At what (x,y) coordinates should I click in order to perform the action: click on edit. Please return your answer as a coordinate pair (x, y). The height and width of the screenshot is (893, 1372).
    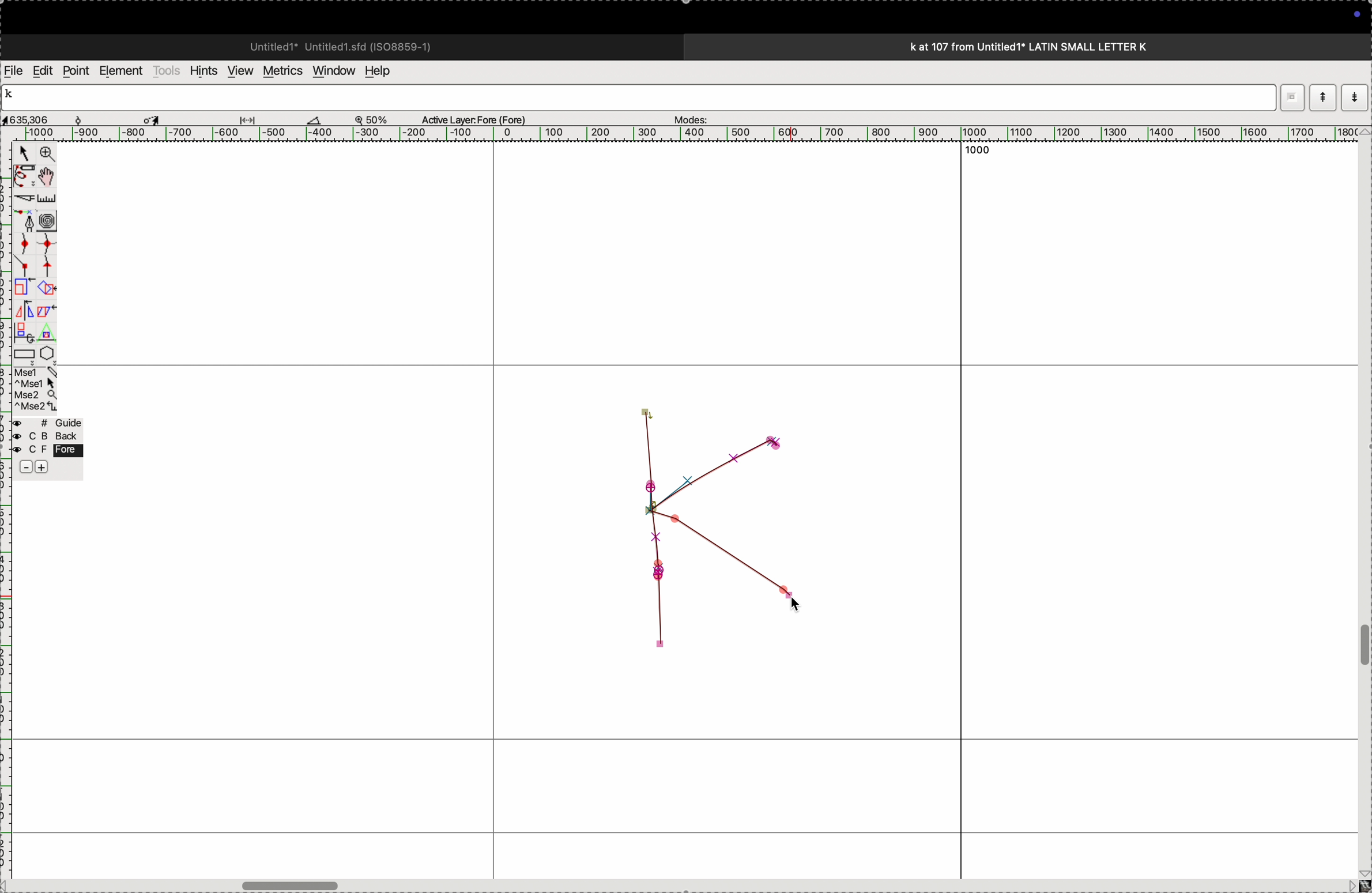
    Looking at the image, I should click on (42, 70).